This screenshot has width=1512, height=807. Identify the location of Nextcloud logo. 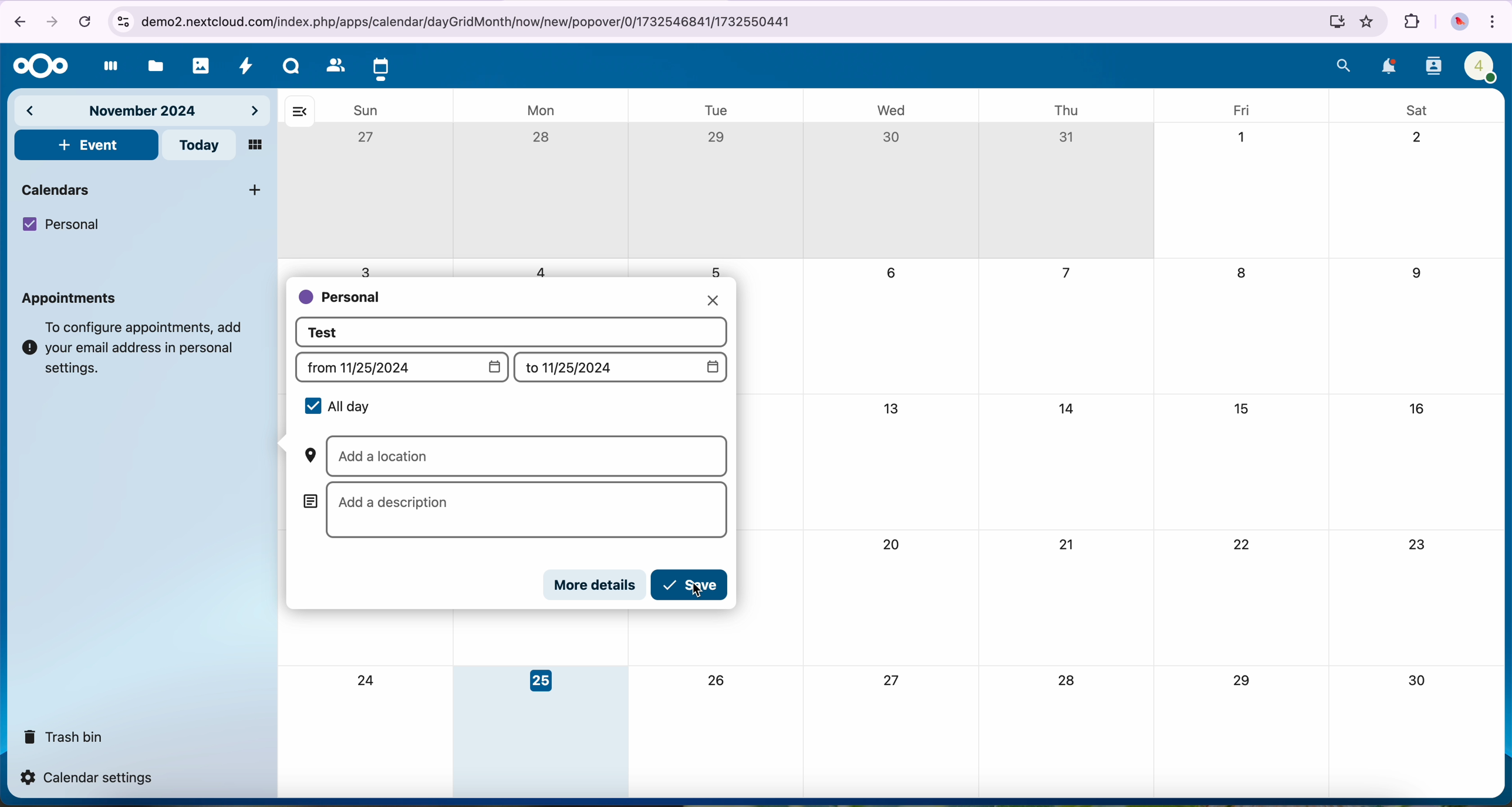
(39, 67).